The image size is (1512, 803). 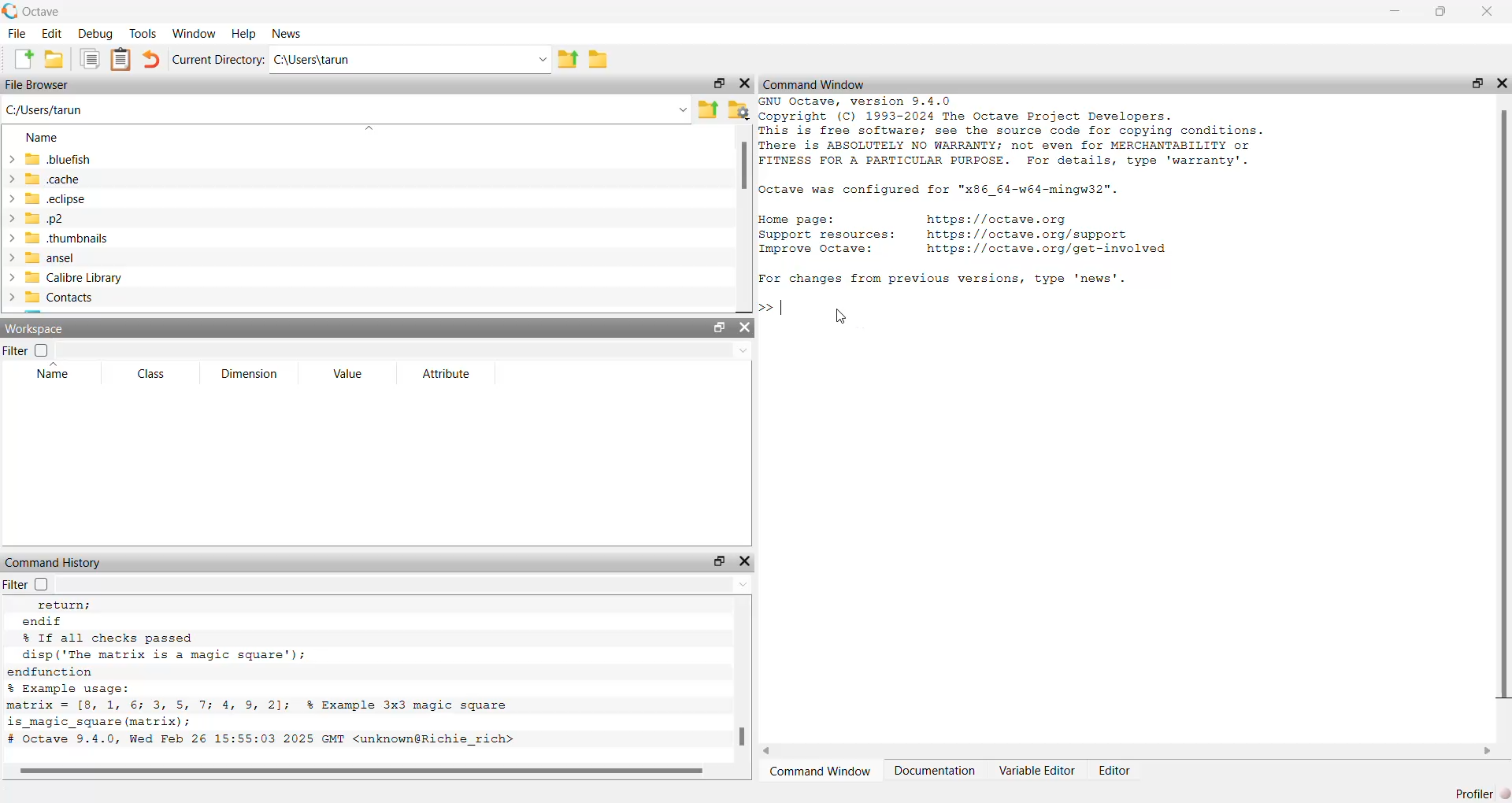 What do you see at coordinates (97, 34) in the screenshot?
I see `Debug` at bounding box center [97, 34].